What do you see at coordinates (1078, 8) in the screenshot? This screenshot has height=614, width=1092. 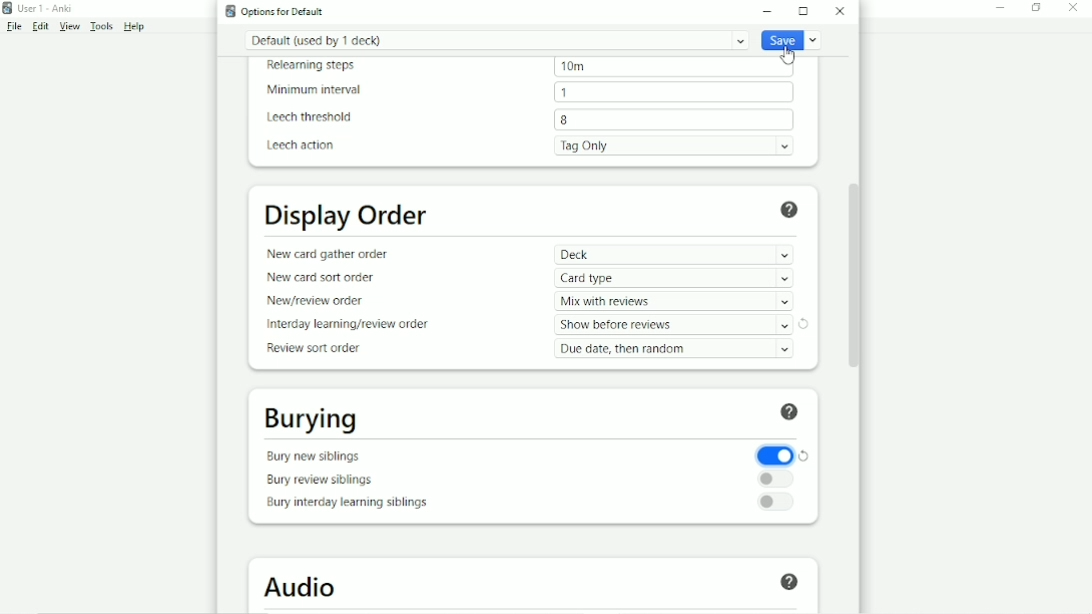 I see `Close` at bounding box center [1078, 8].